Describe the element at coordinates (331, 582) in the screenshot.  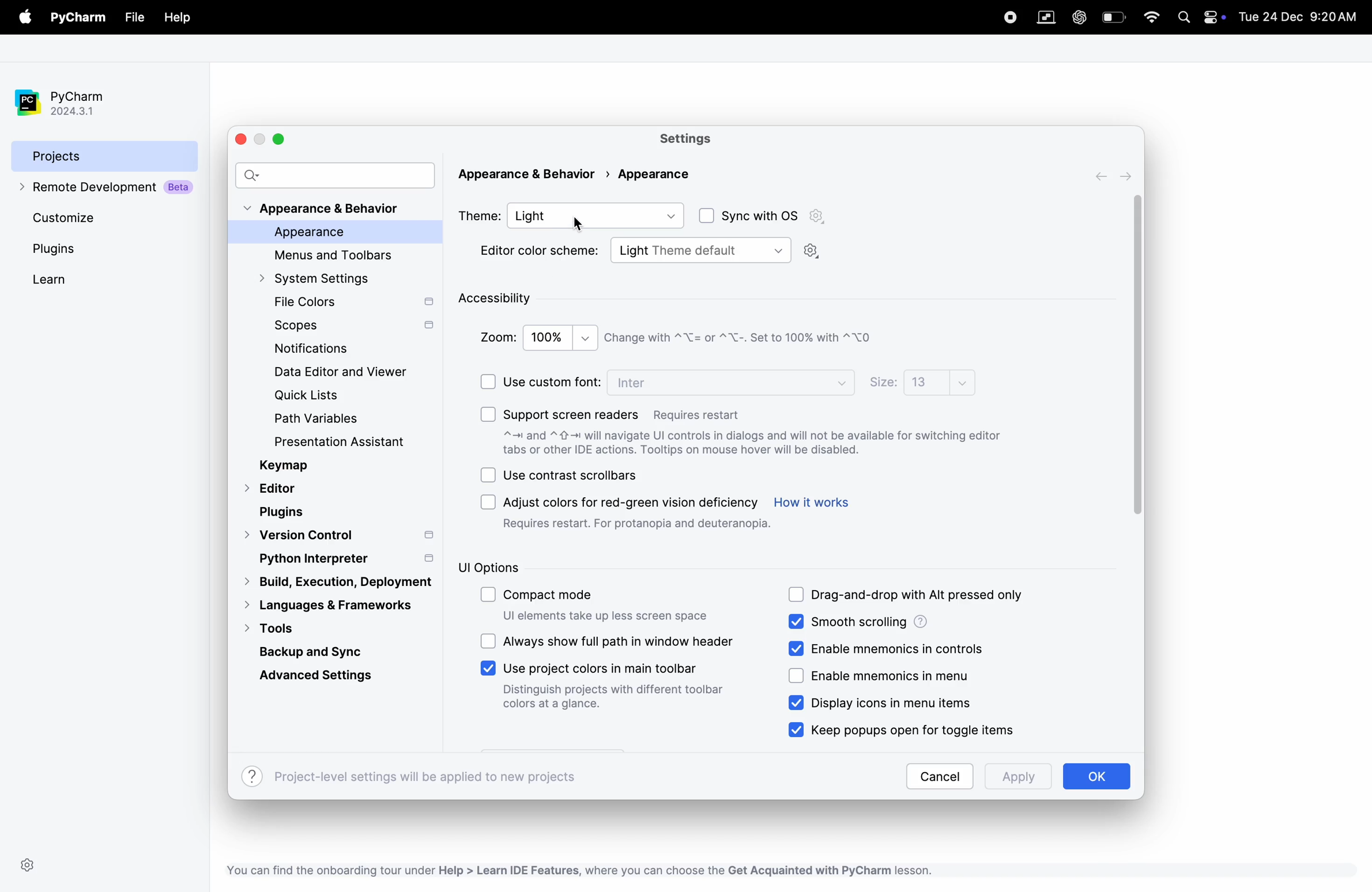
I see `build execution and deployment` at that location.